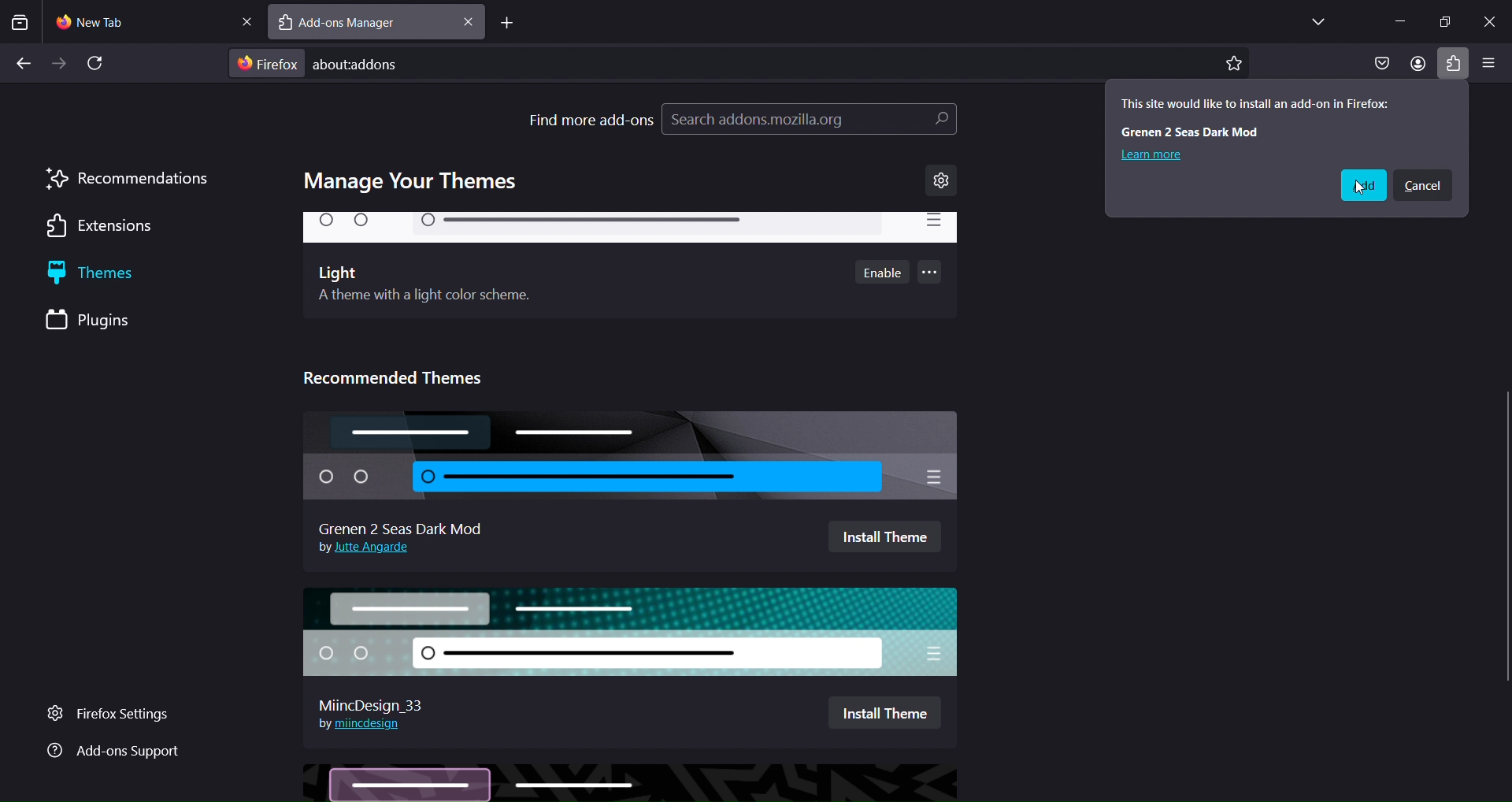  I want to click on This site would like to install an add-on in Firefox:
‘Grenen 2 Seas Dark Mod, so click(1254, 114).